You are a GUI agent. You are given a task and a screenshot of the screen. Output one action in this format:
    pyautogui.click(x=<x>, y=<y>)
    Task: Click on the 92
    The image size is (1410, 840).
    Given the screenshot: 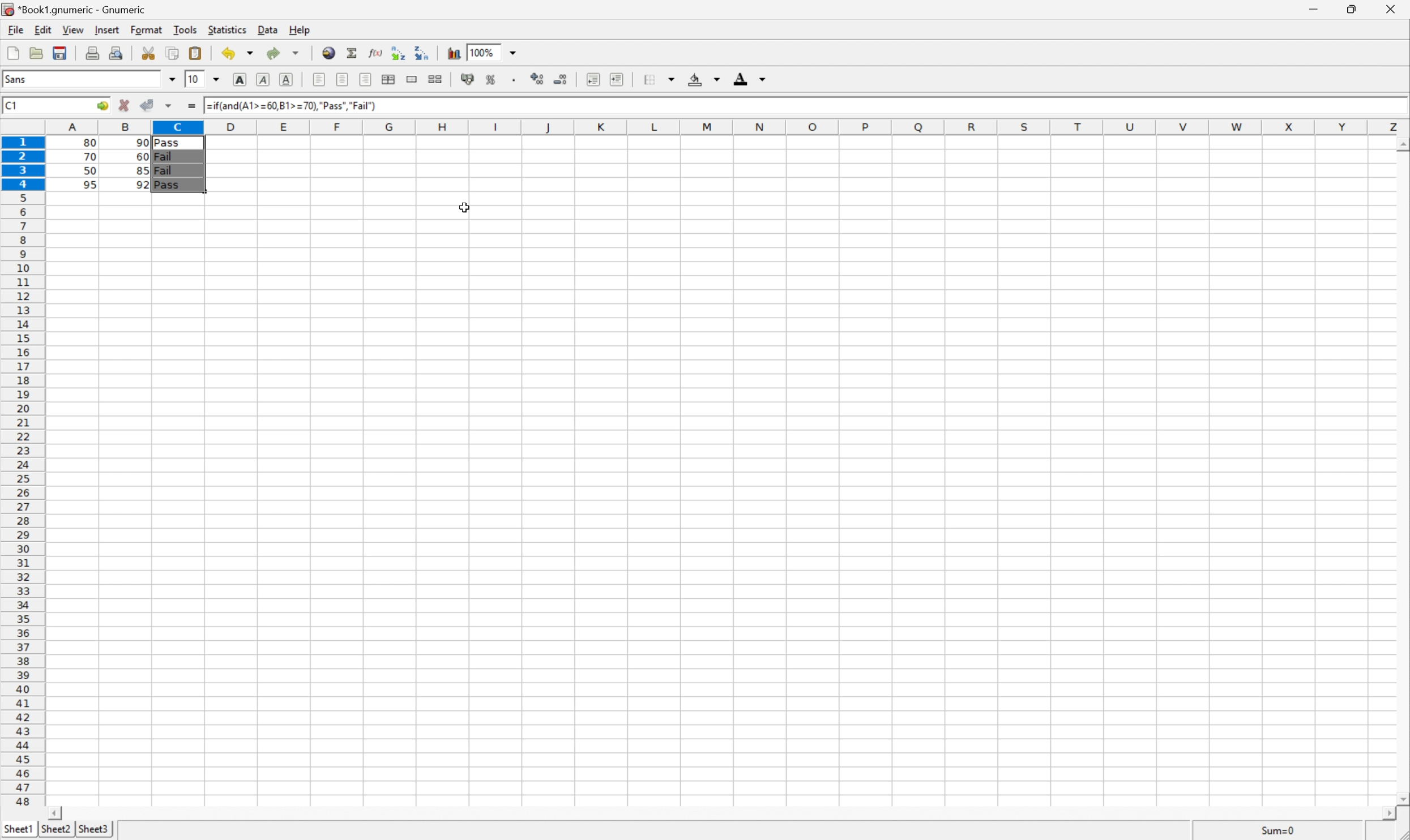 What is the action you would take?
    pyautogui.click(x=143, y=184)
    